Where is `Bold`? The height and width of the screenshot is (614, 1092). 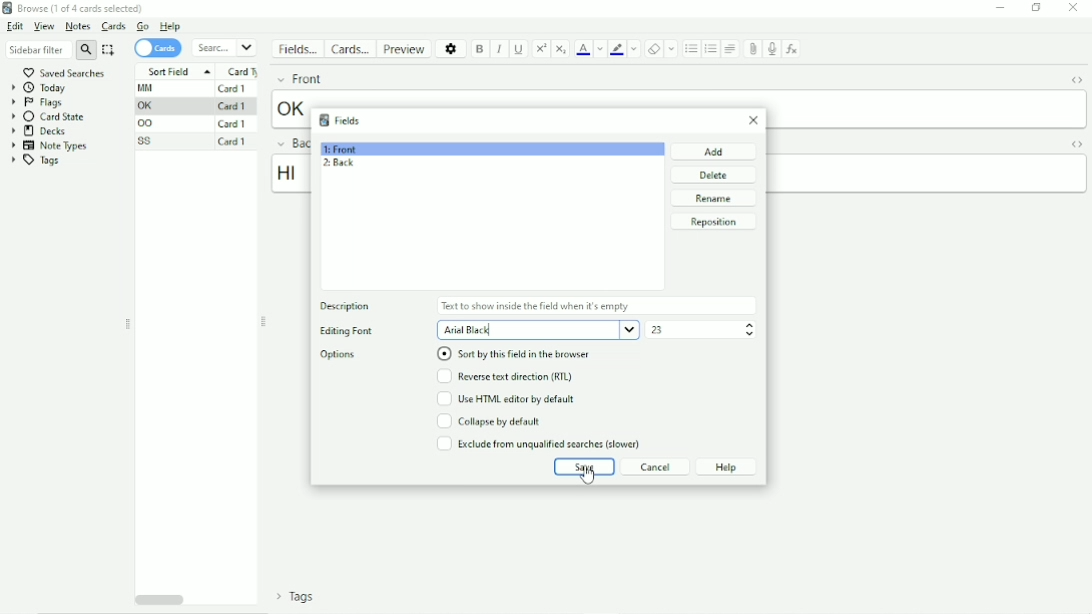 Bold is located at coordinates (481, 49).